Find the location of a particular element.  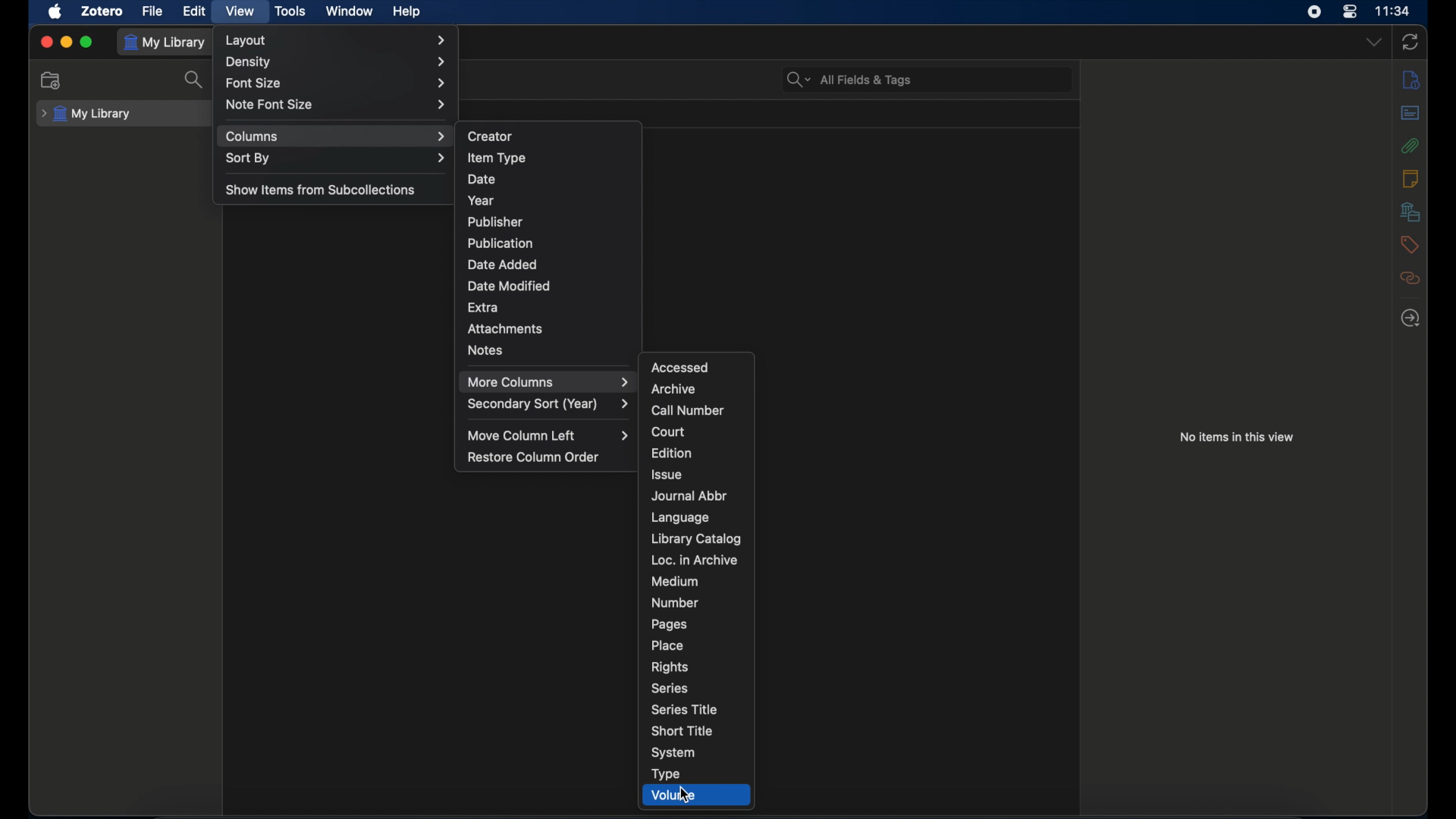

year is located at coordinates (482, 200).